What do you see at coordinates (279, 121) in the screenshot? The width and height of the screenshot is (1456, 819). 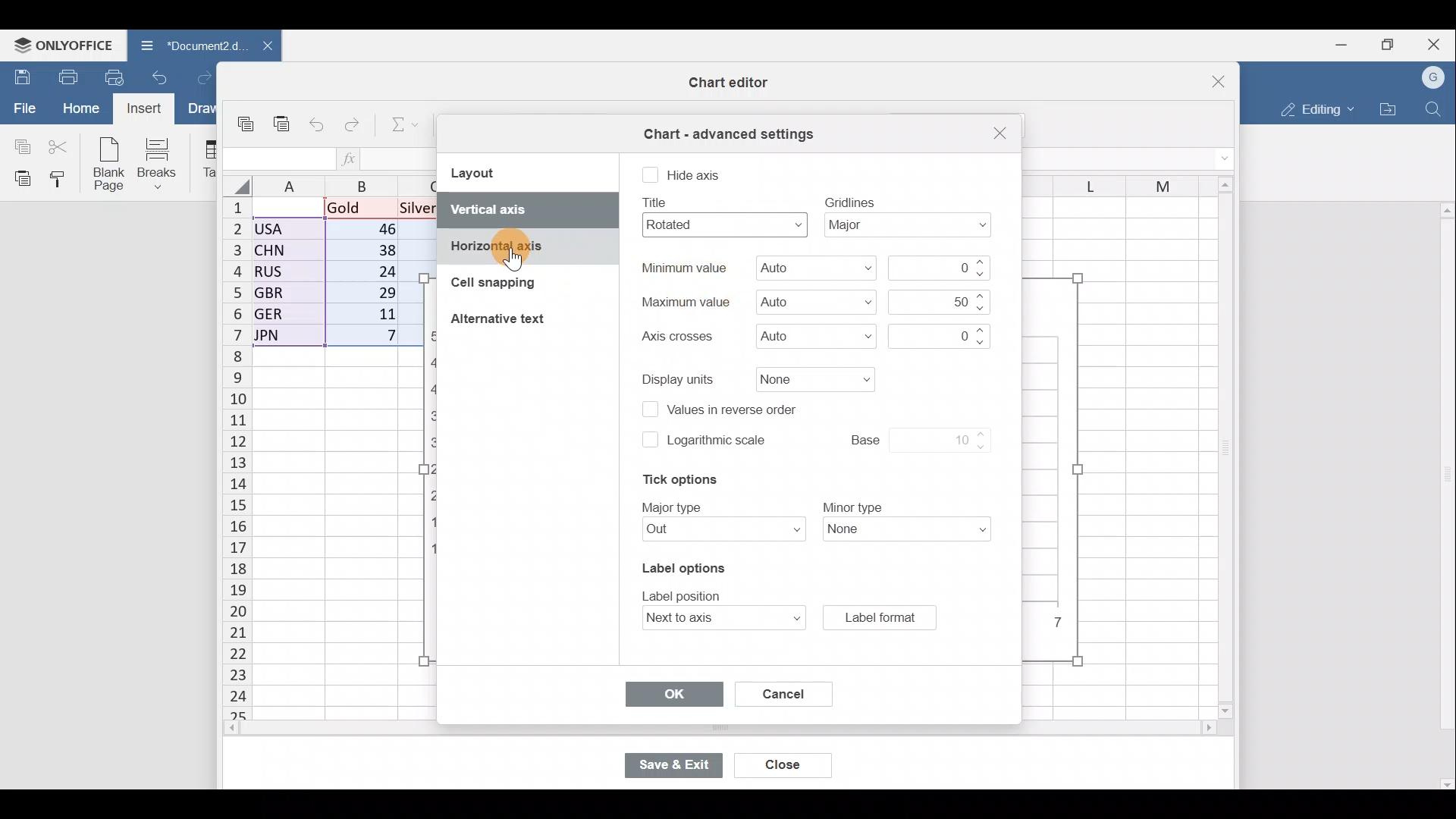 I see `Paste` at bounding box center [279, 121].